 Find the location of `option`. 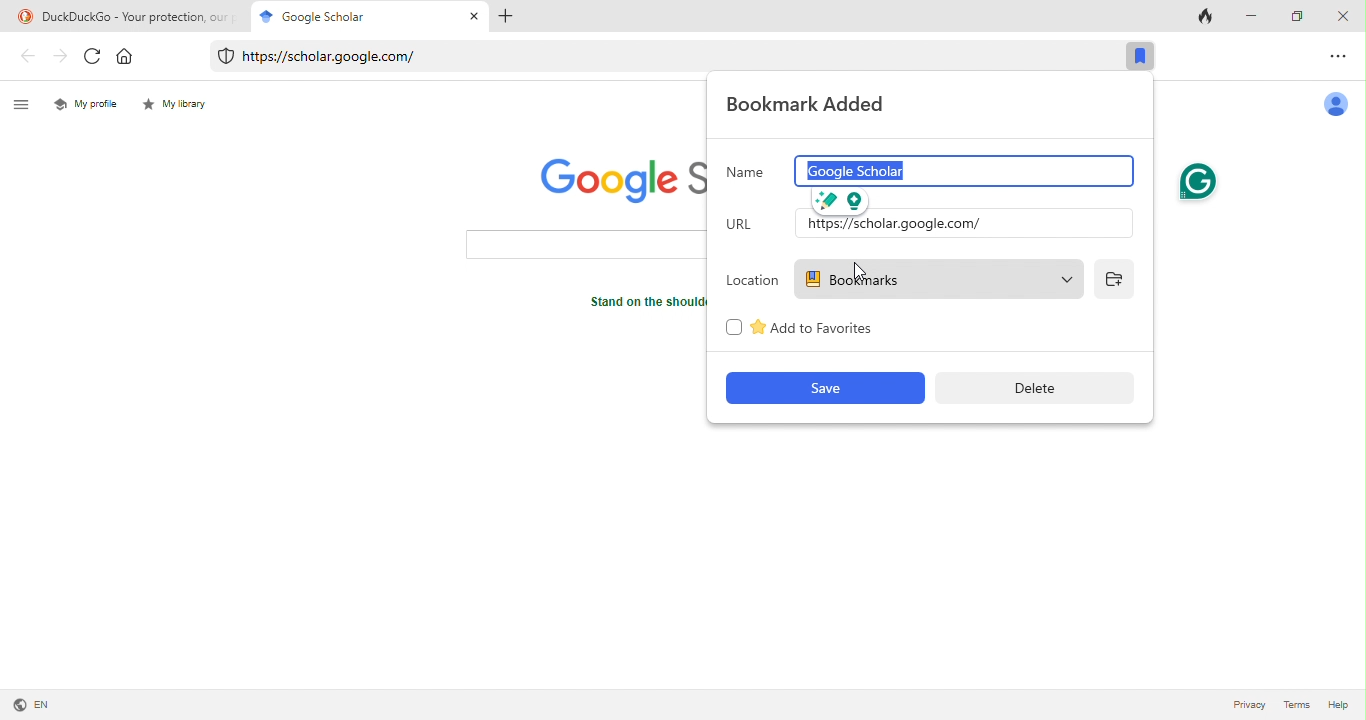

option is located at coordinates (1343, 57).